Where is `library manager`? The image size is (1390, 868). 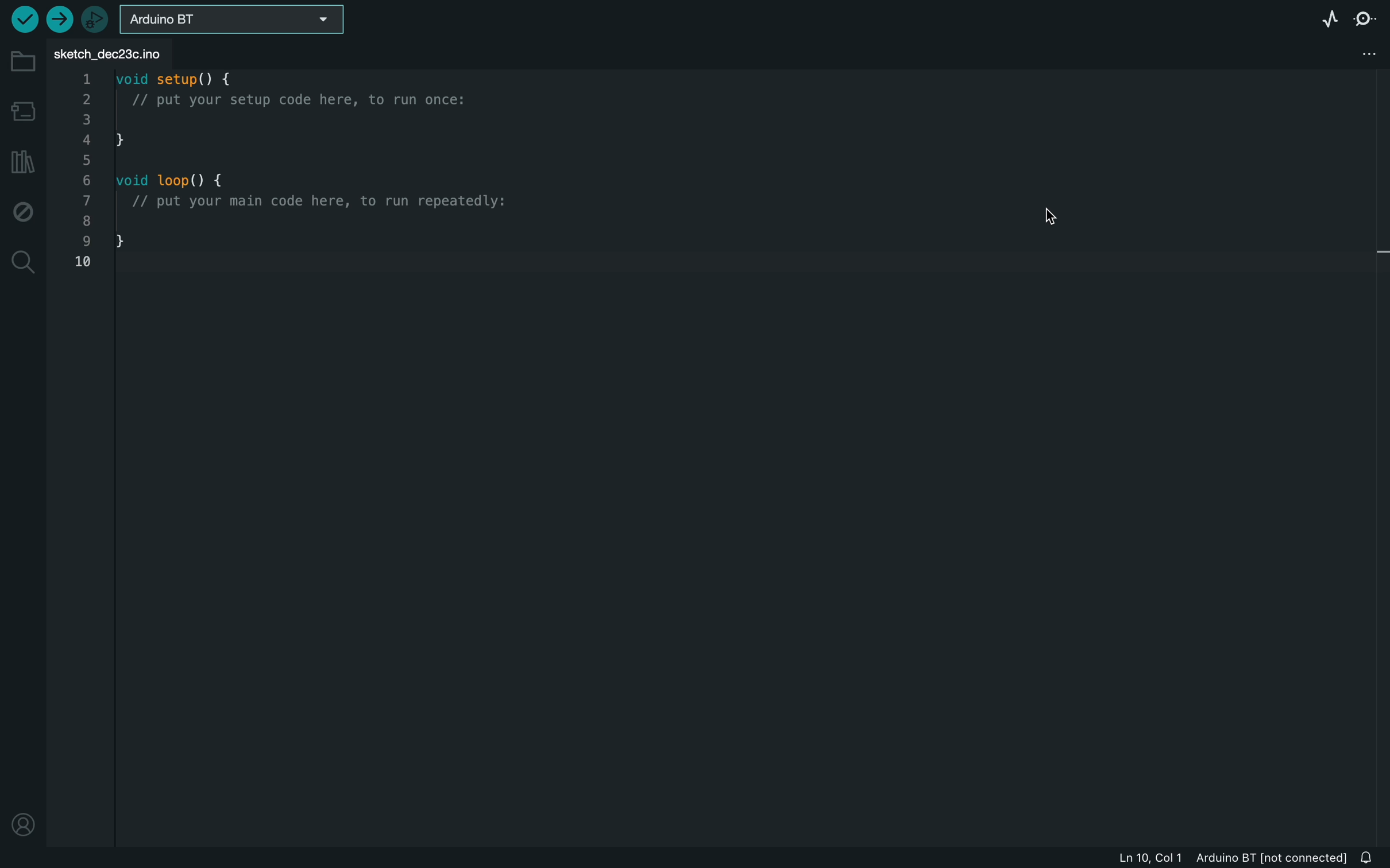
library manager is located at coordinates (24, 165).